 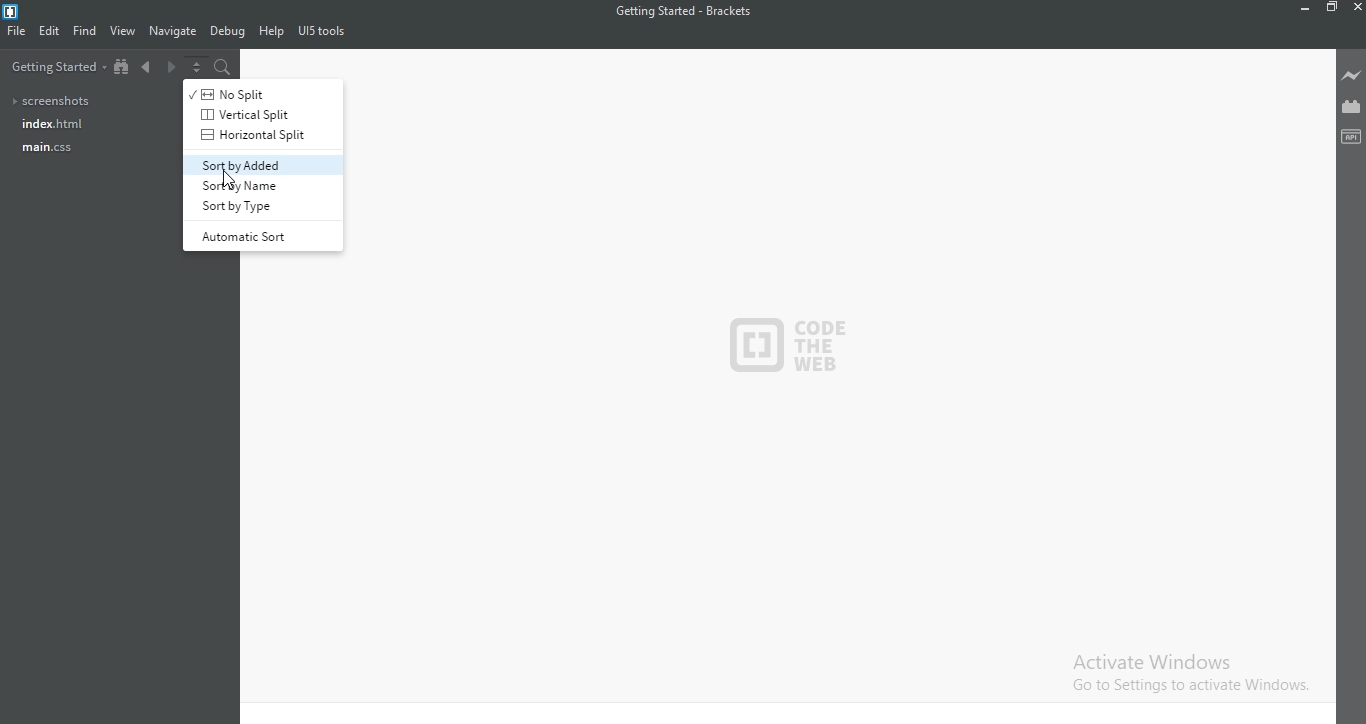 What do you see at coordinates (794, 338) in the screenshot?
I see `CODE THE WEB` at bounding box center [794, 338].